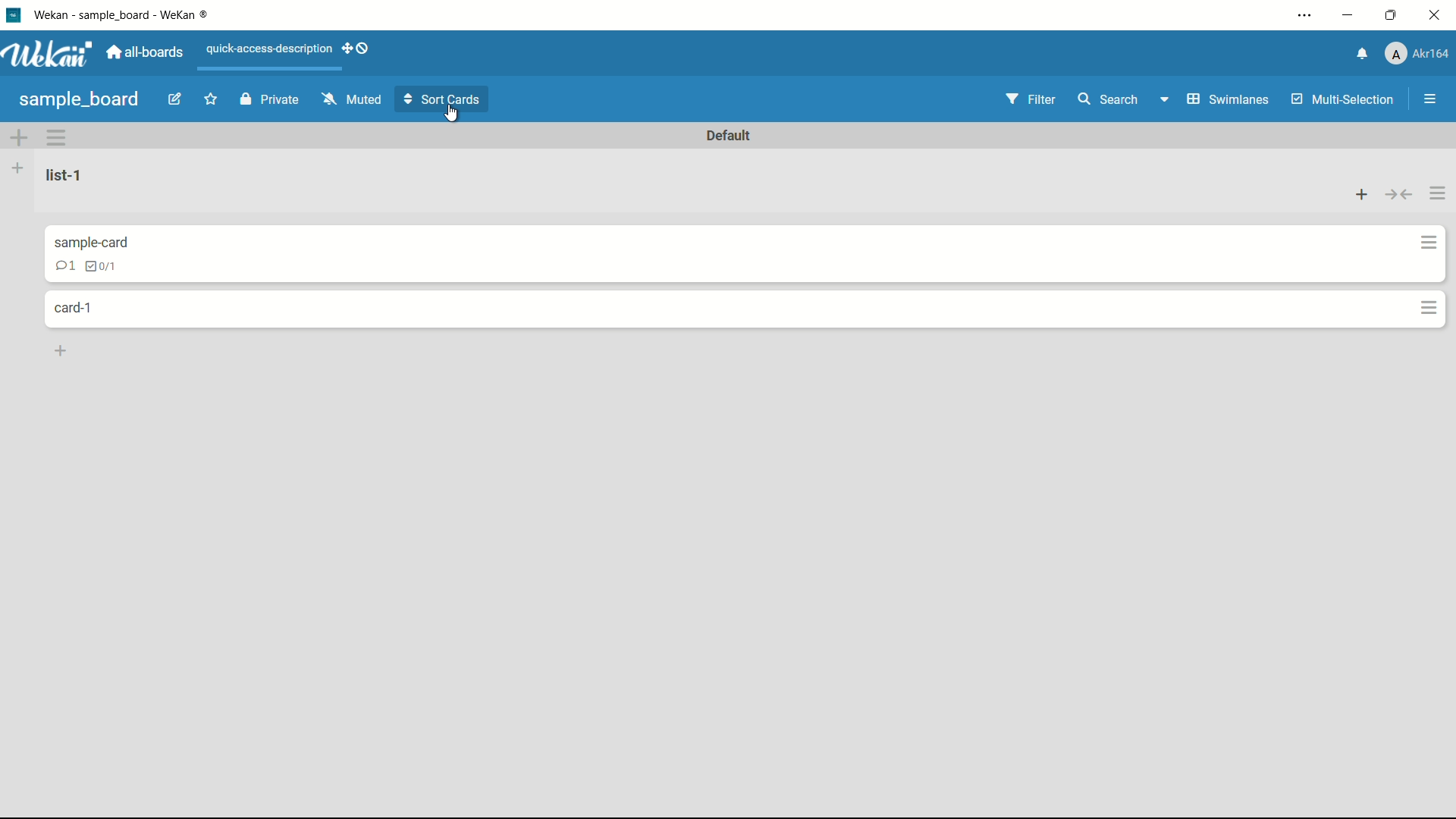  Describe the element at coordinates (353, 99) in the screenshot. I see `muted` at that location.